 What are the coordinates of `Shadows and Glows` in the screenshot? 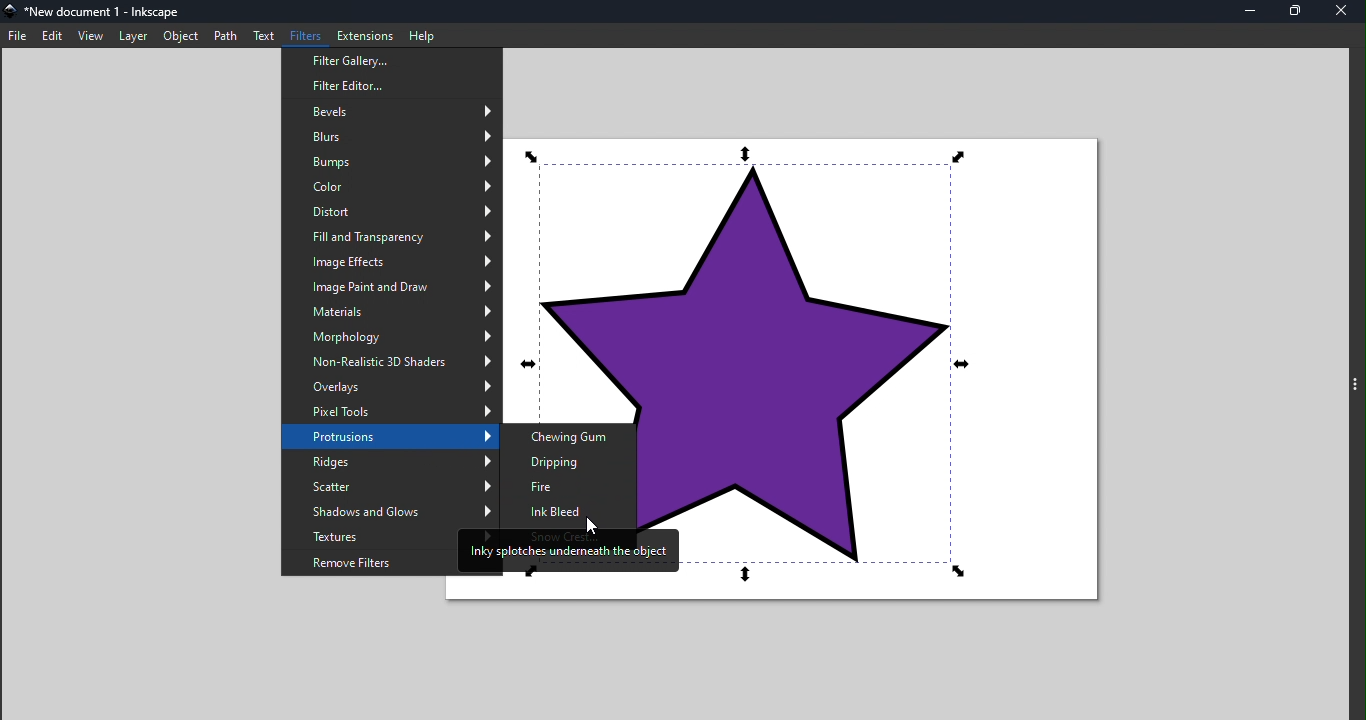 It's located at (390, 511).